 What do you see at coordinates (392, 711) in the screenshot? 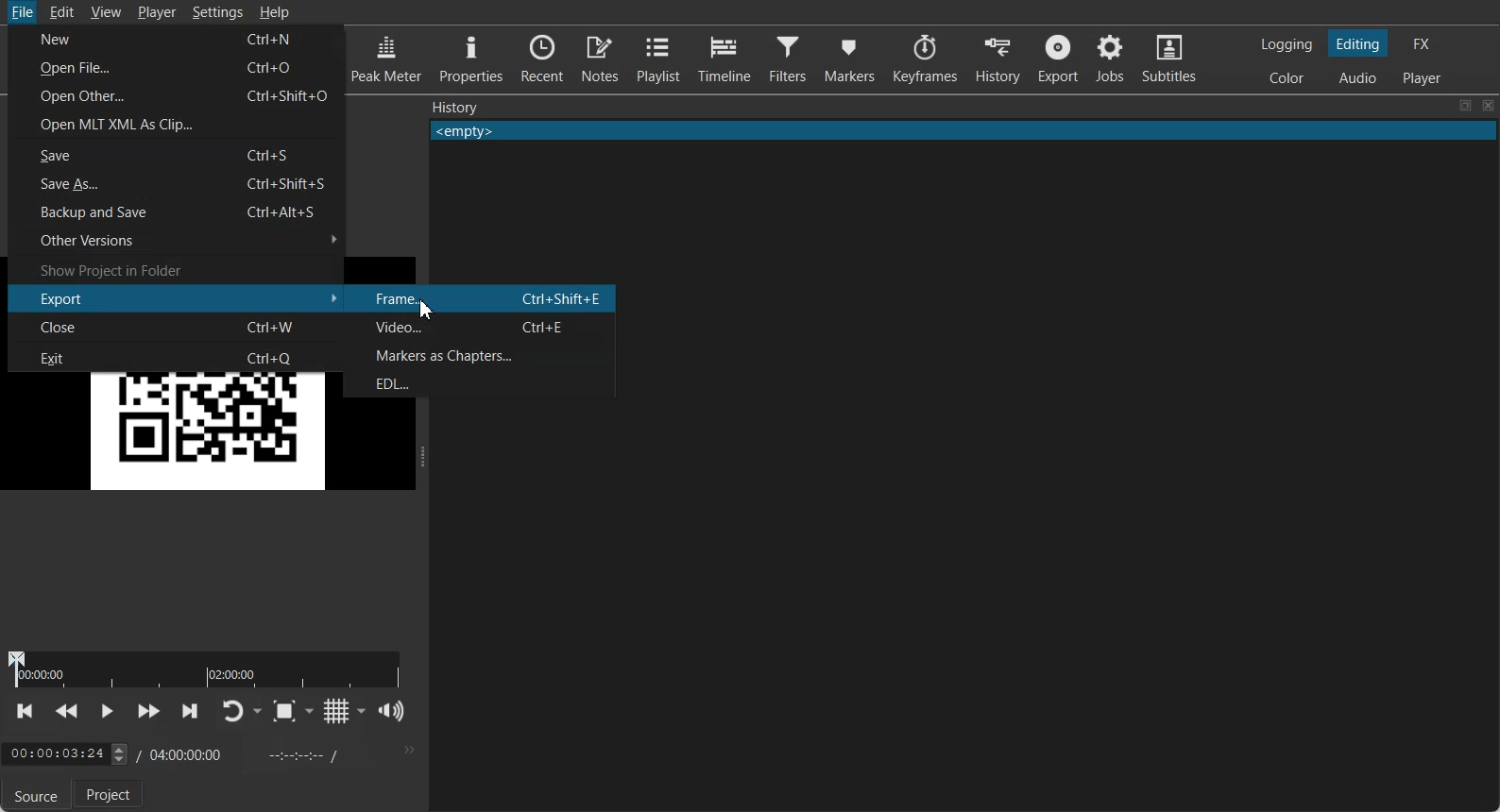
I see `Show volume control` at bounding box center [392, 711].